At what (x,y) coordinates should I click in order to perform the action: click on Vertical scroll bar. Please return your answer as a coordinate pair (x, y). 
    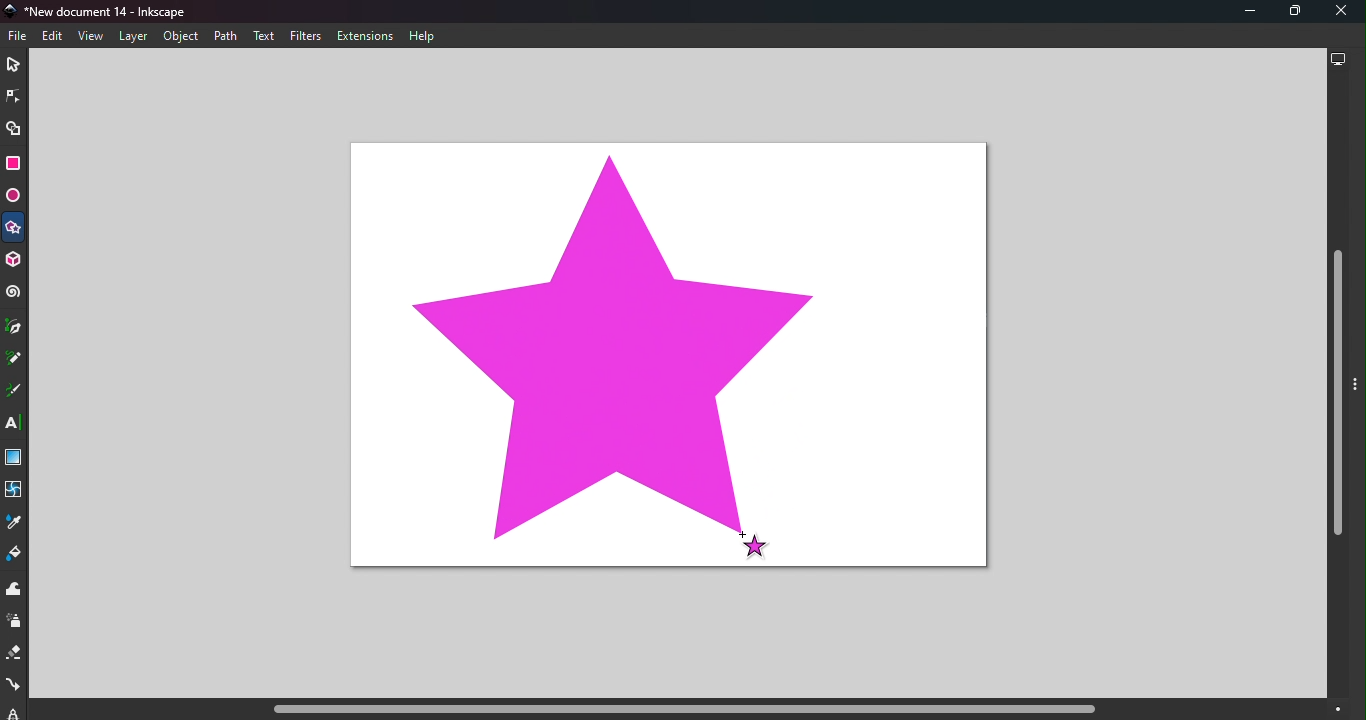
    Looking at the image, I should click on (1338, 388).